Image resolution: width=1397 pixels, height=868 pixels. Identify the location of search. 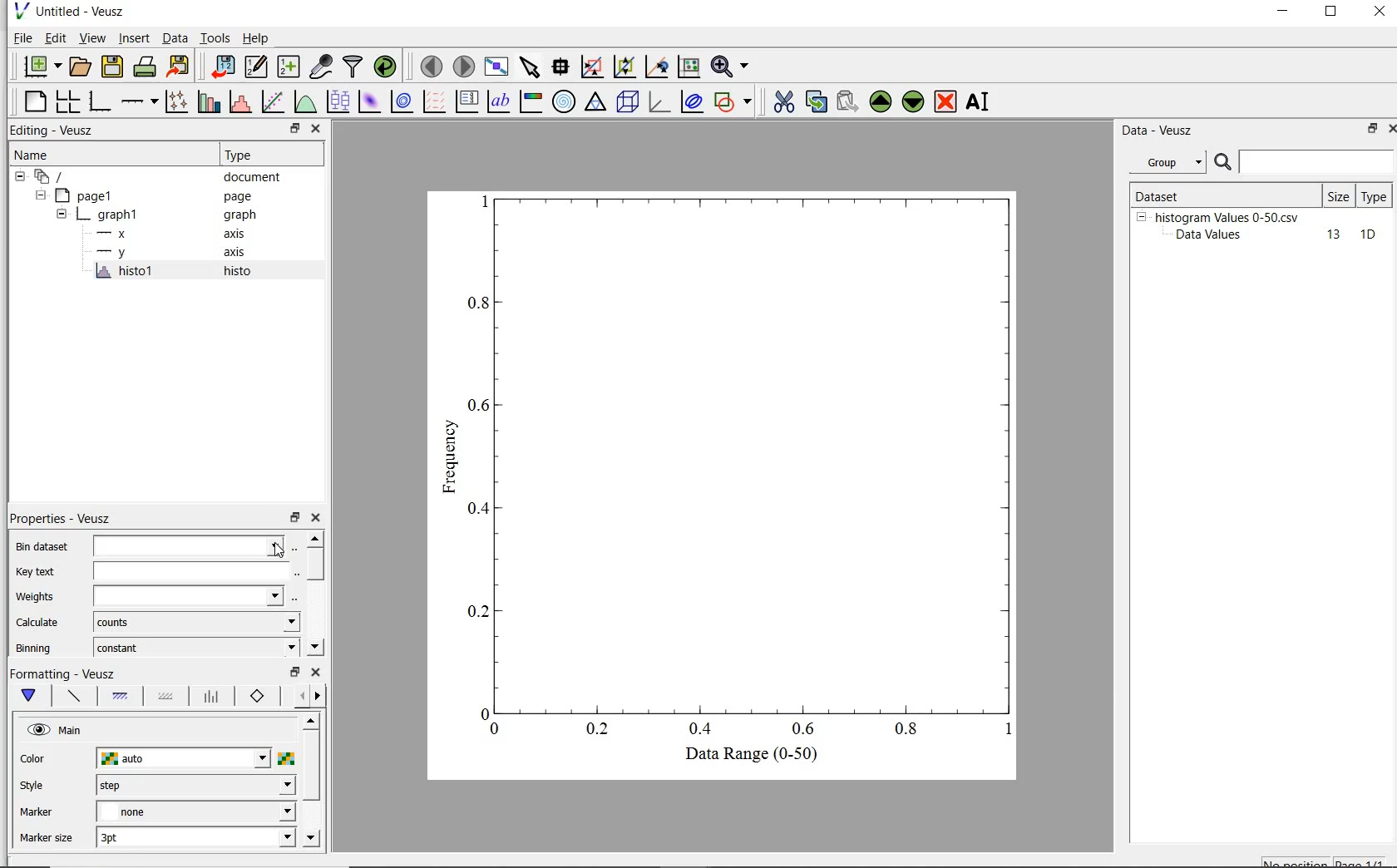
(1224, 163).